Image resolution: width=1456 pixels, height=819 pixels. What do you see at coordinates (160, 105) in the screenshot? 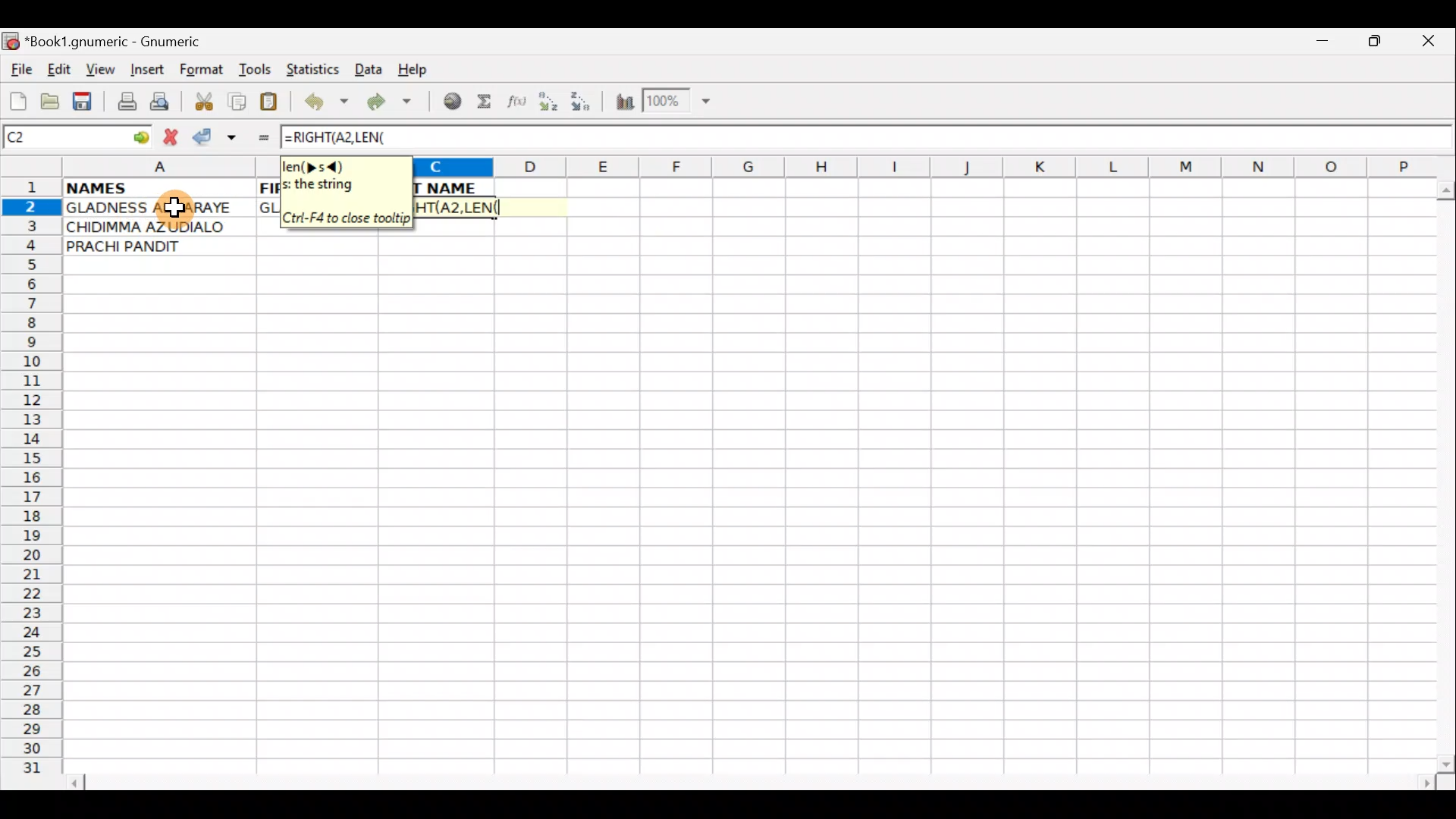
I see `Print preview` at bounding box center [160, 105].